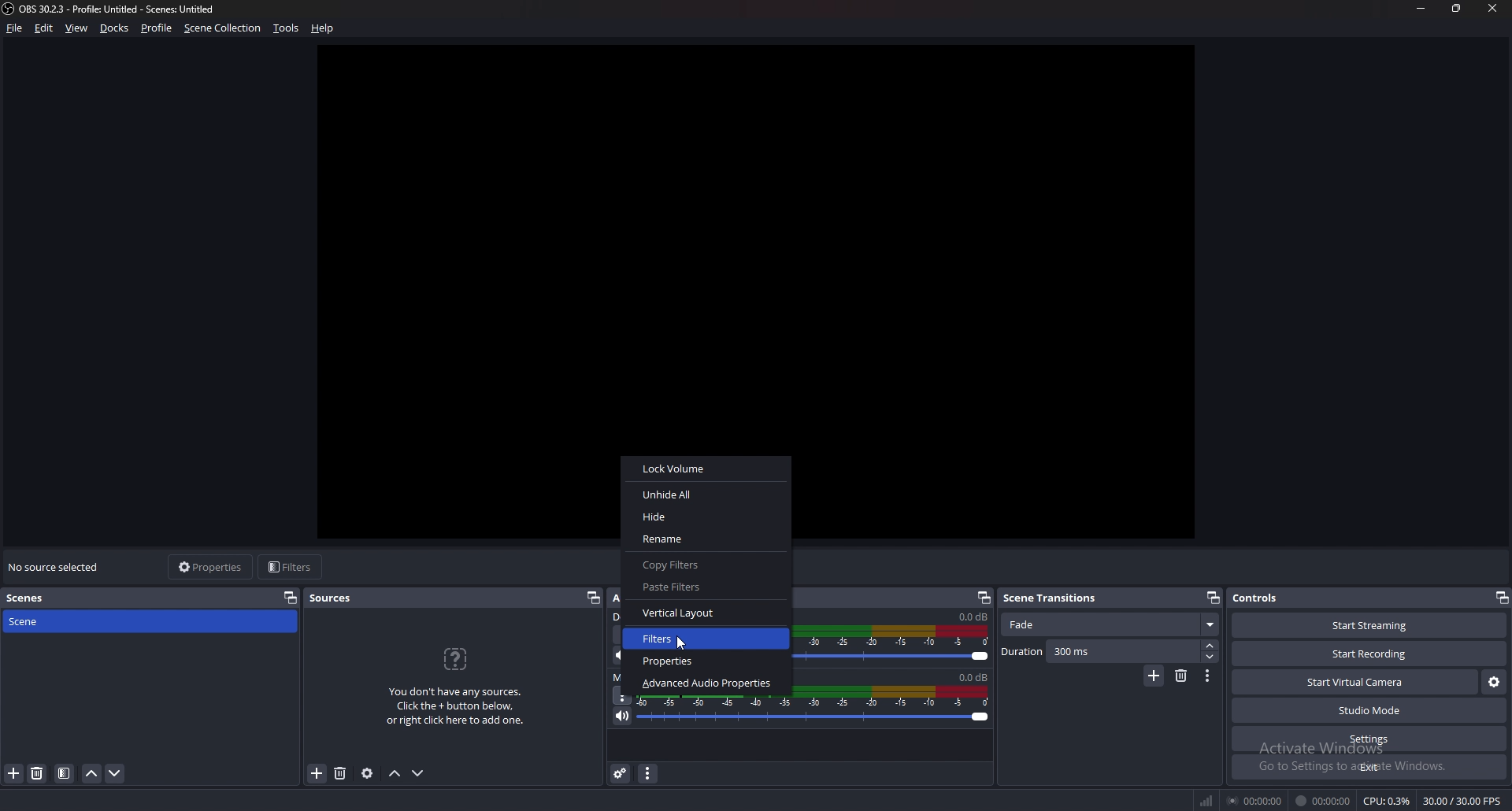 This screenshot has width=1512, height=811. I want to click on resize, so click(1459, 8).